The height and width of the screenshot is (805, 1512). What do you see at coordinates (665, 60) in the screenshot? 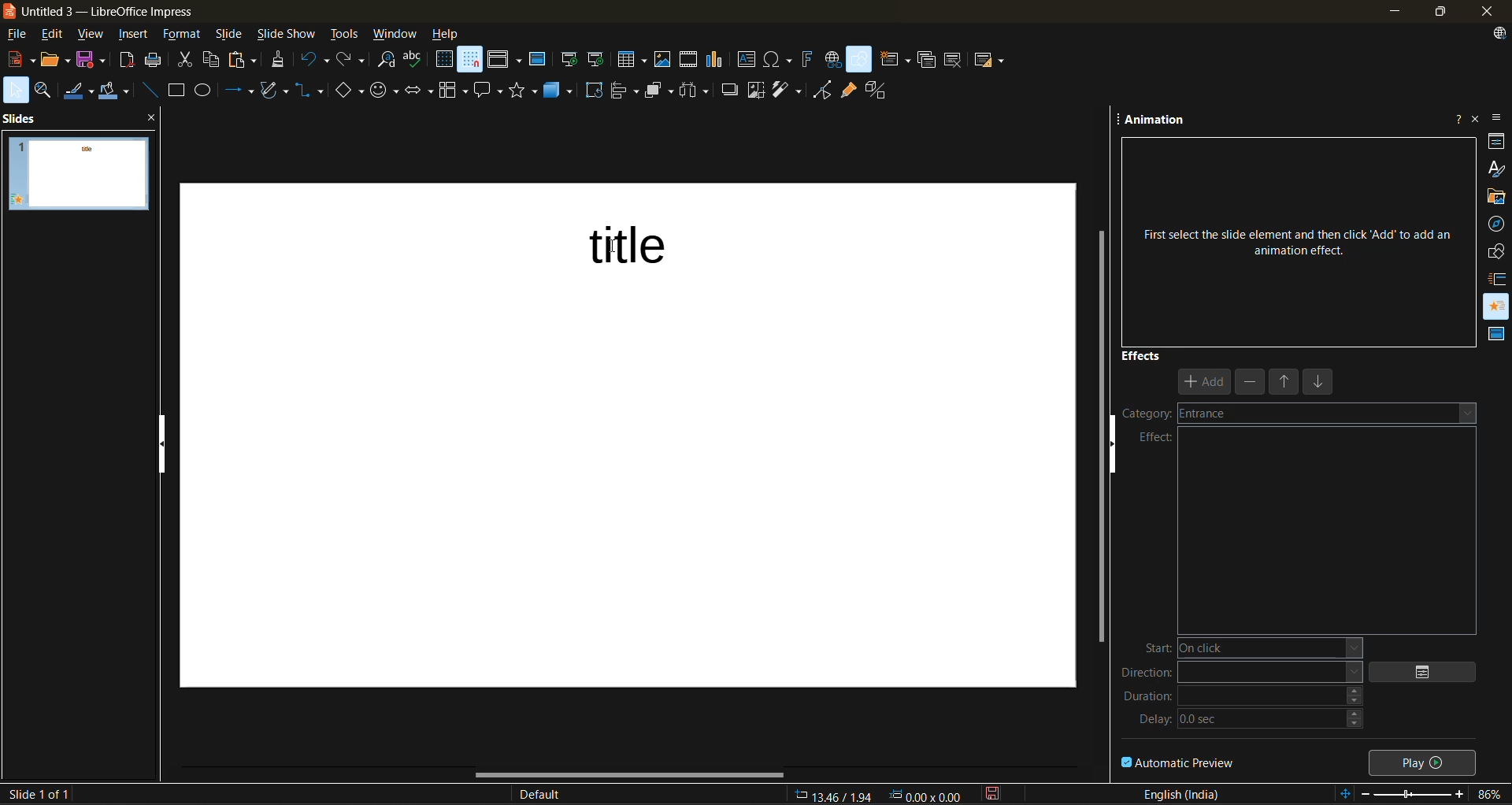
I see `insert image` at bounding box center [665, 60].